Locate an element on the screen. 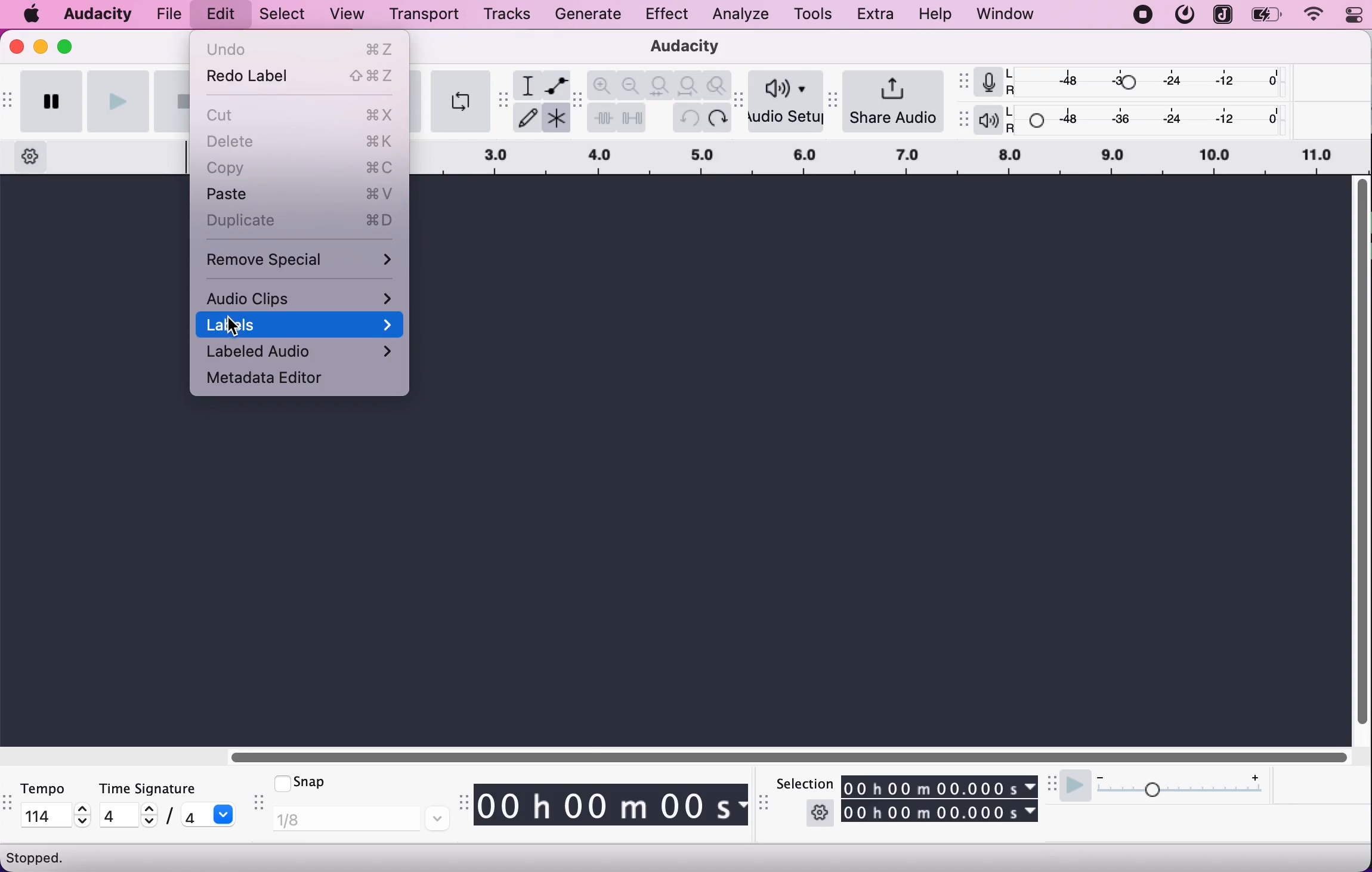  transport is located at coordinates (422, 14).